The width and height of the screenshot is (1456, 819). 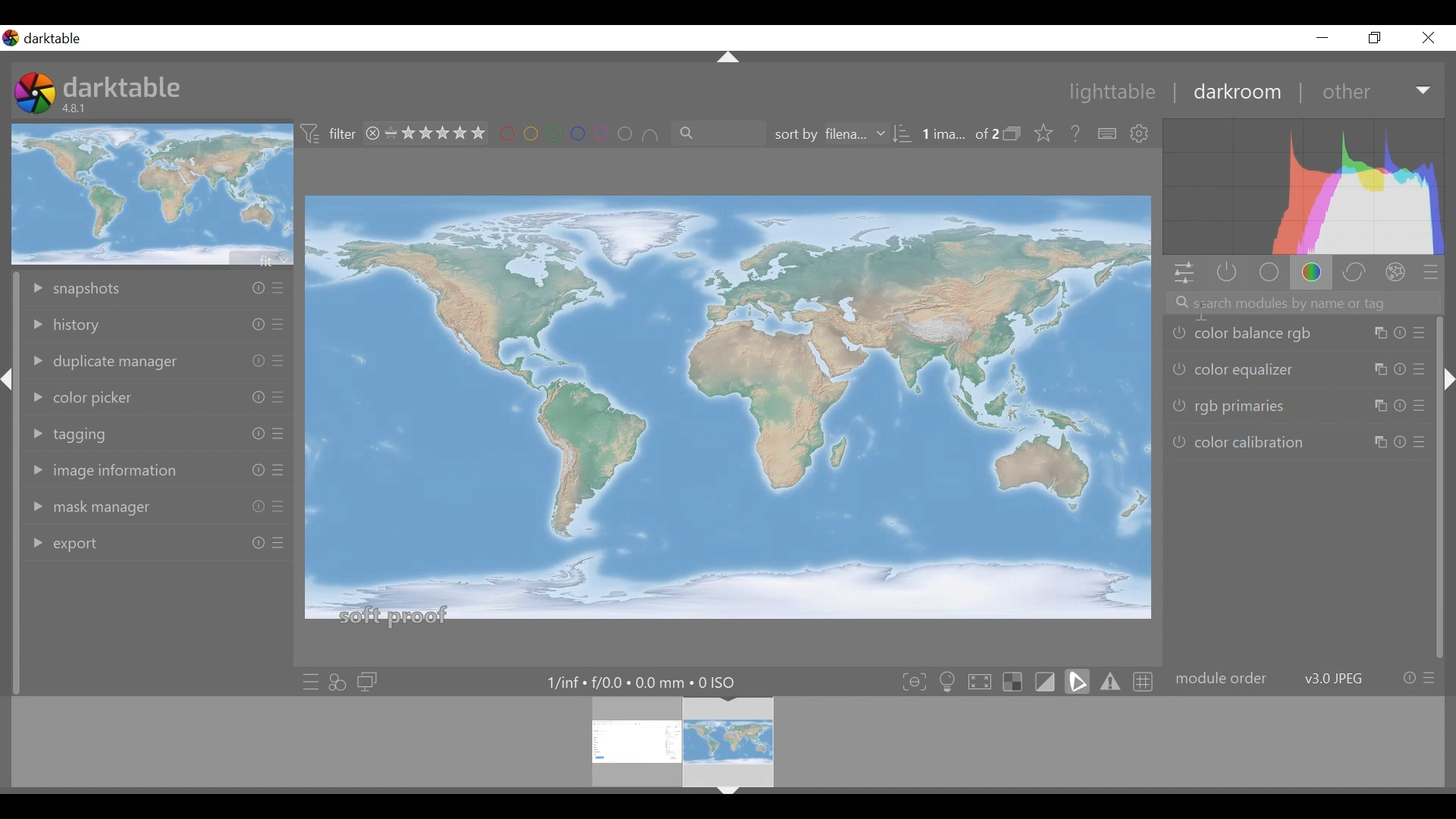 What do you see at coordinates (1141, 134) in the screenshot?
I see `show global preferences` at bounding box center [1141, 134].